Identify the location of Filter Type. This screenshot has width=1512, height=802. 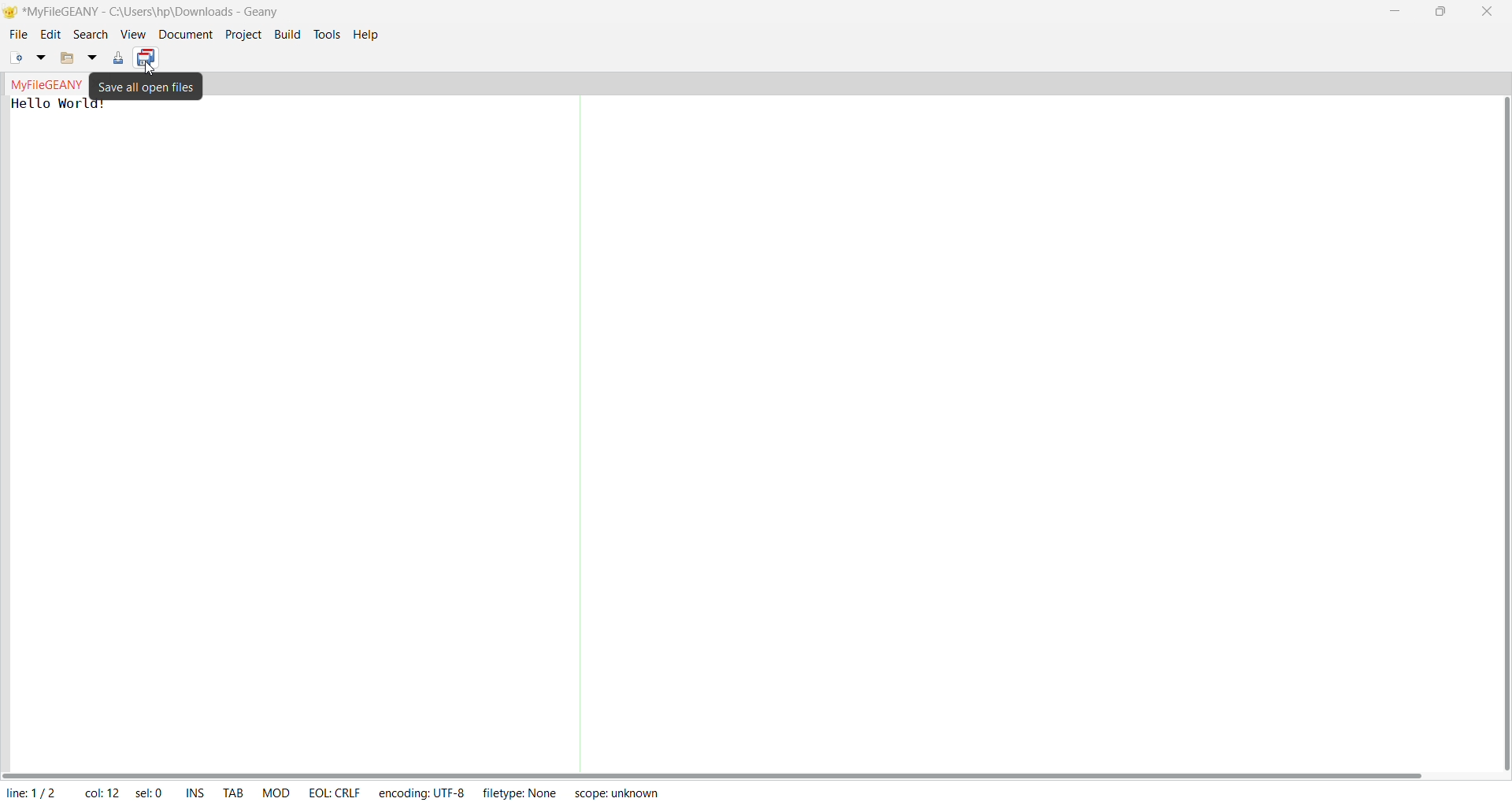
(523, 792).